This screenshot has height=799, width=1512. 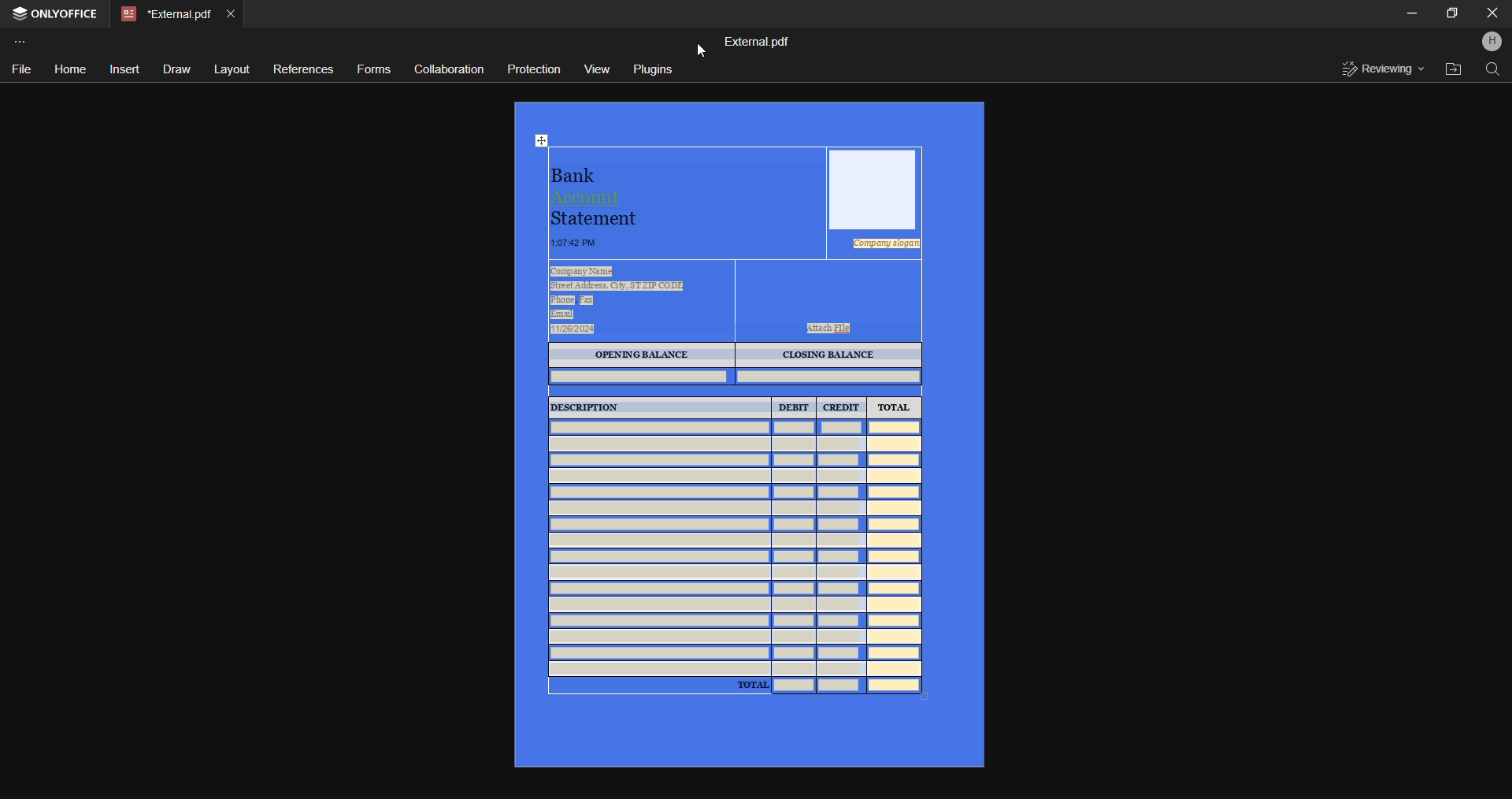 I want to click on Reviewing, so click(x=1380, y=71).